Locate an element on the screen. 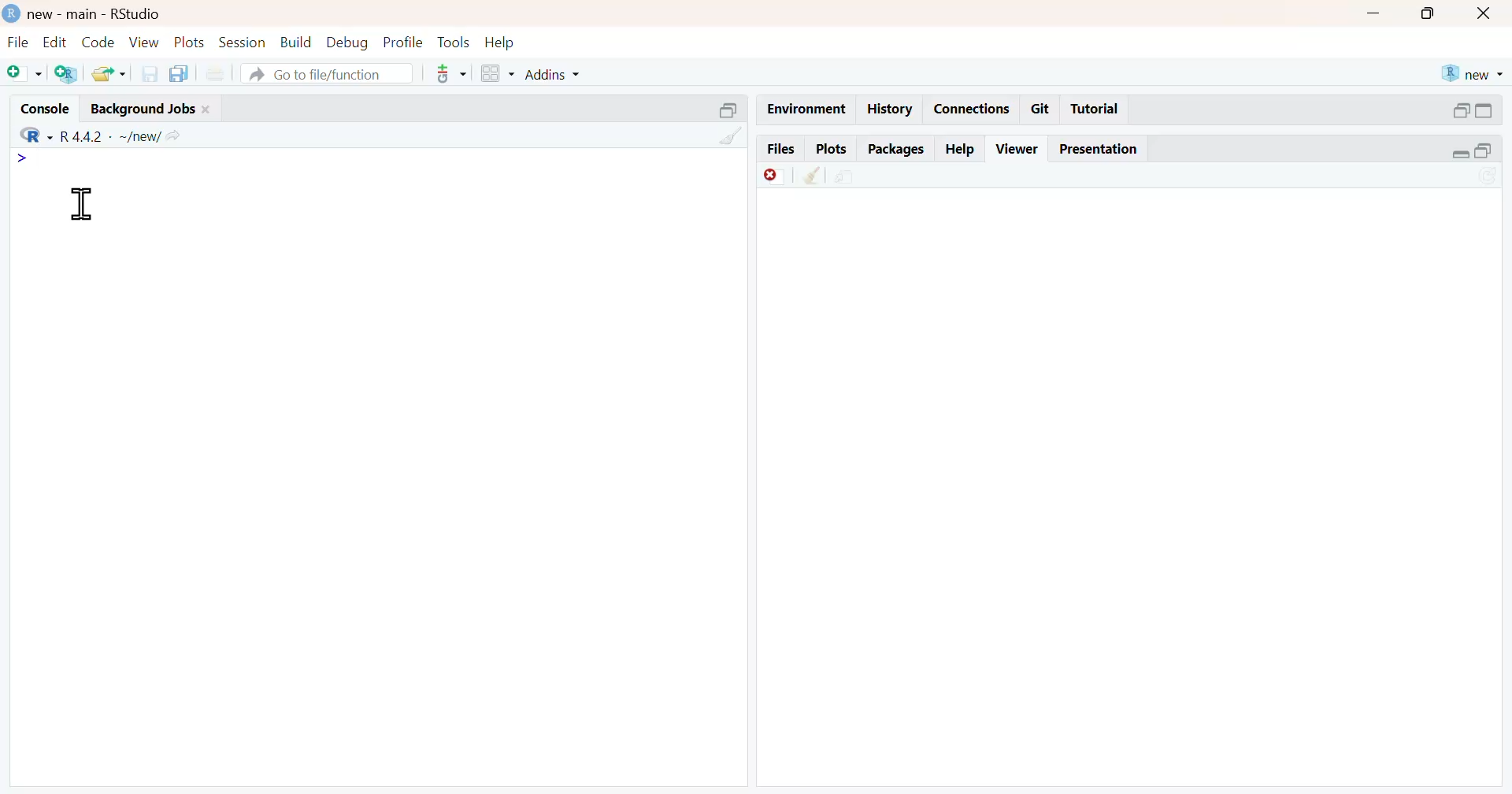 The image size is (1512, 794). git is located at coordinates (1043, 109).